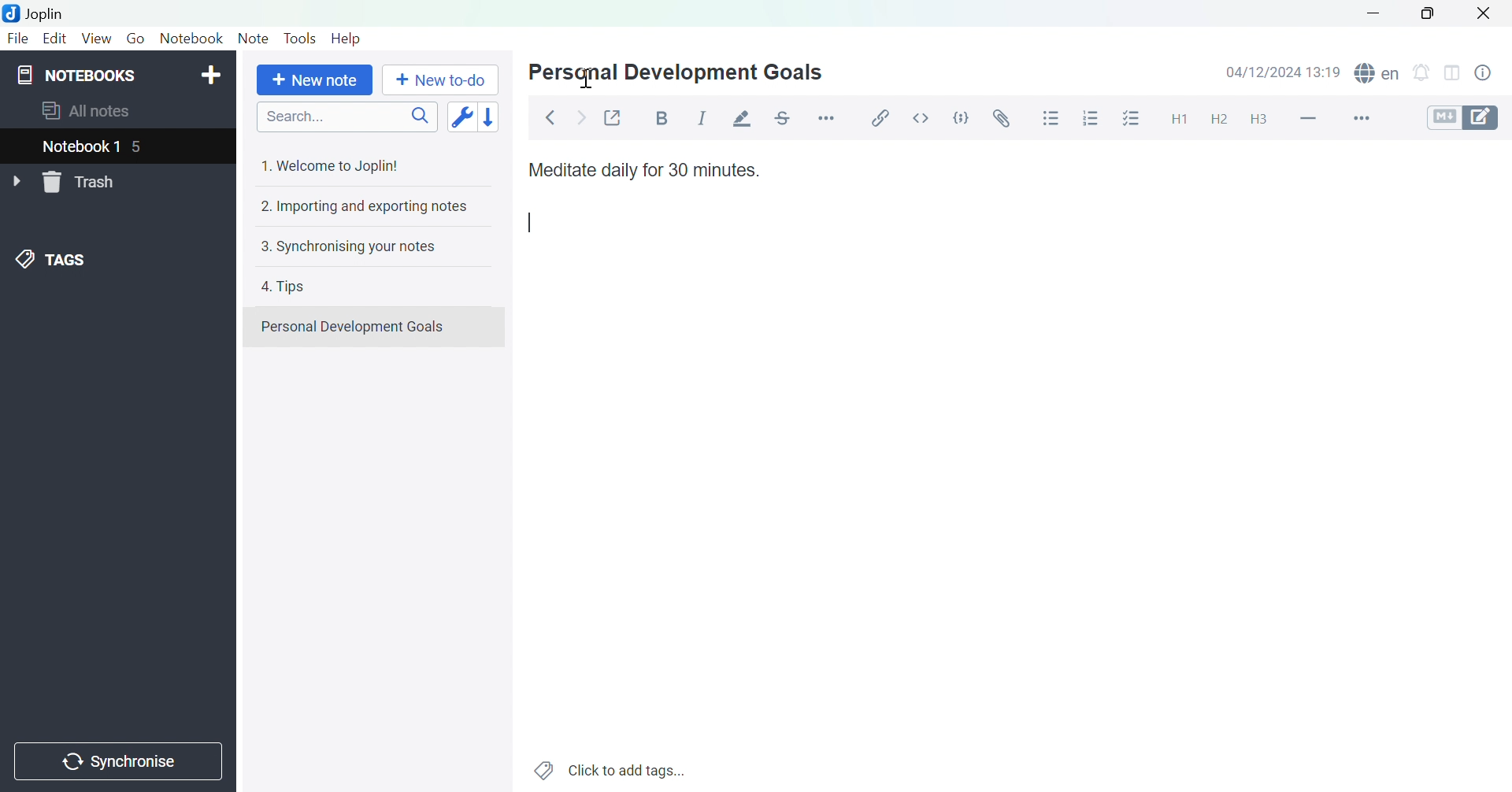  I want to click on Drop Down, so click(16, 179).